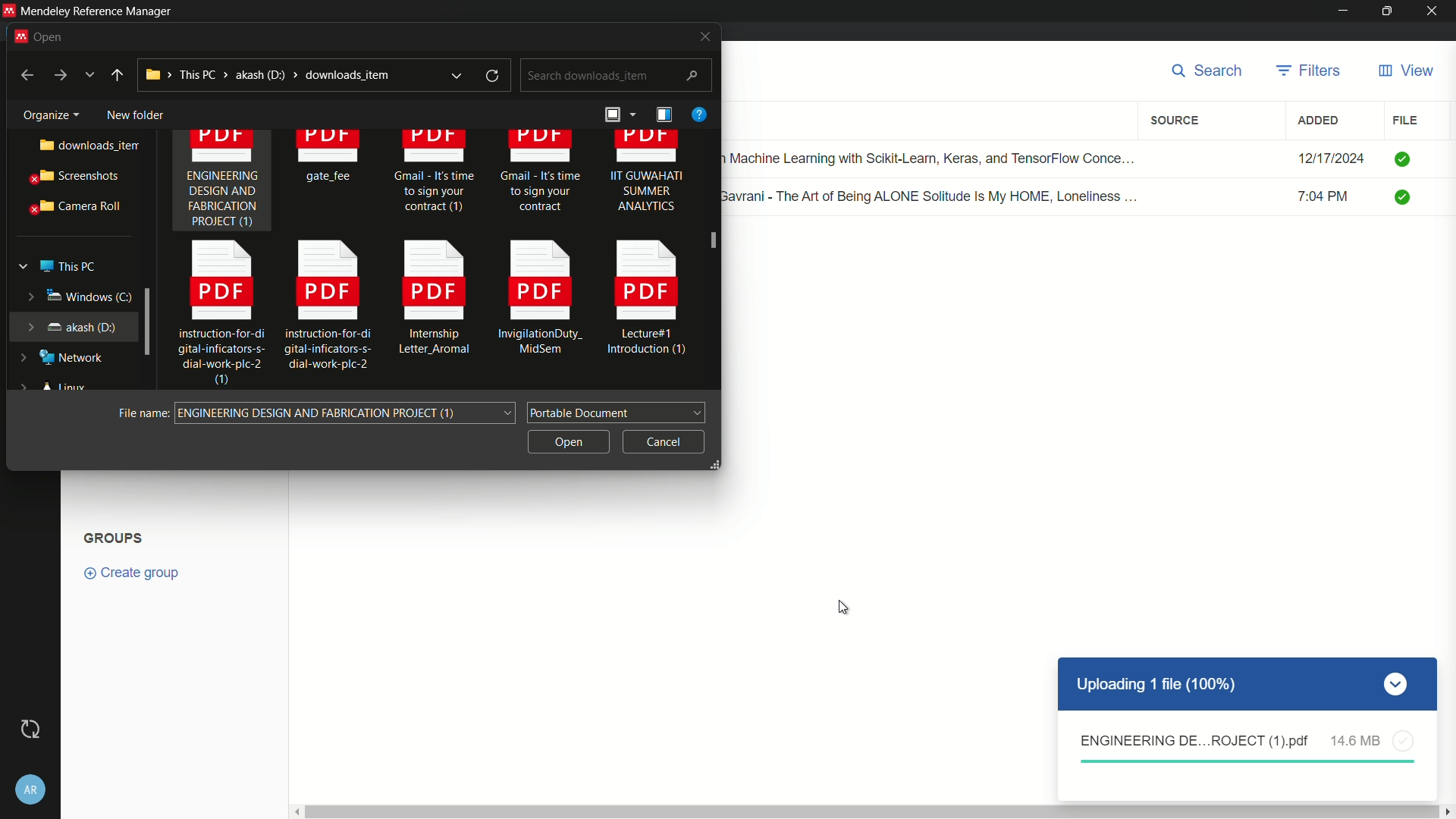 This screenshot has width=1456, height=819. I want to click on CURSOR, so click(843, 608).